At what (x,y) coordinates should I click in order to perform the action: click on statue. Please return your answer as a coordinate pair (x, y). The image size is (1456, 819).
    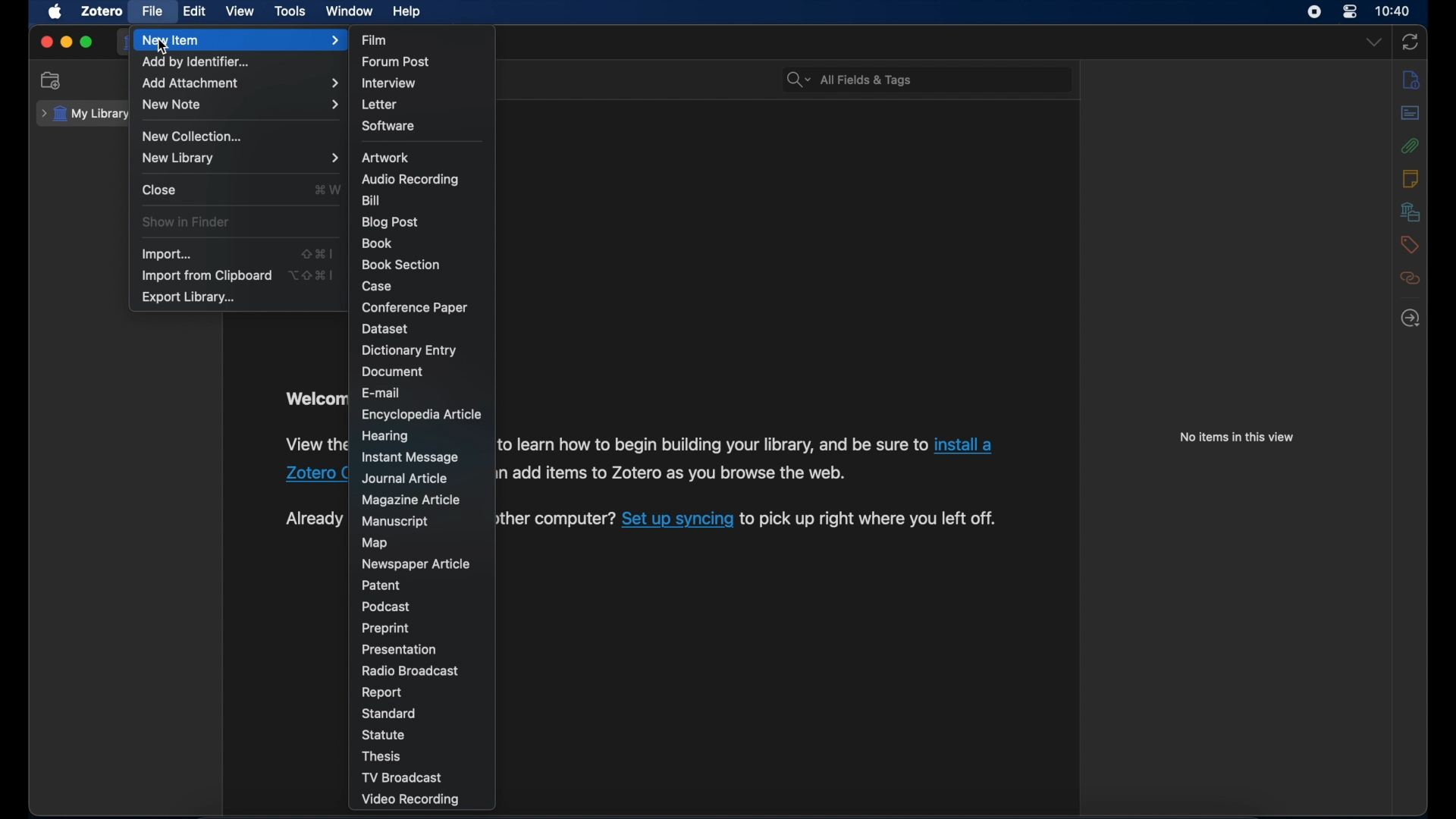
    Looking at the image, I should click on (384, 734).